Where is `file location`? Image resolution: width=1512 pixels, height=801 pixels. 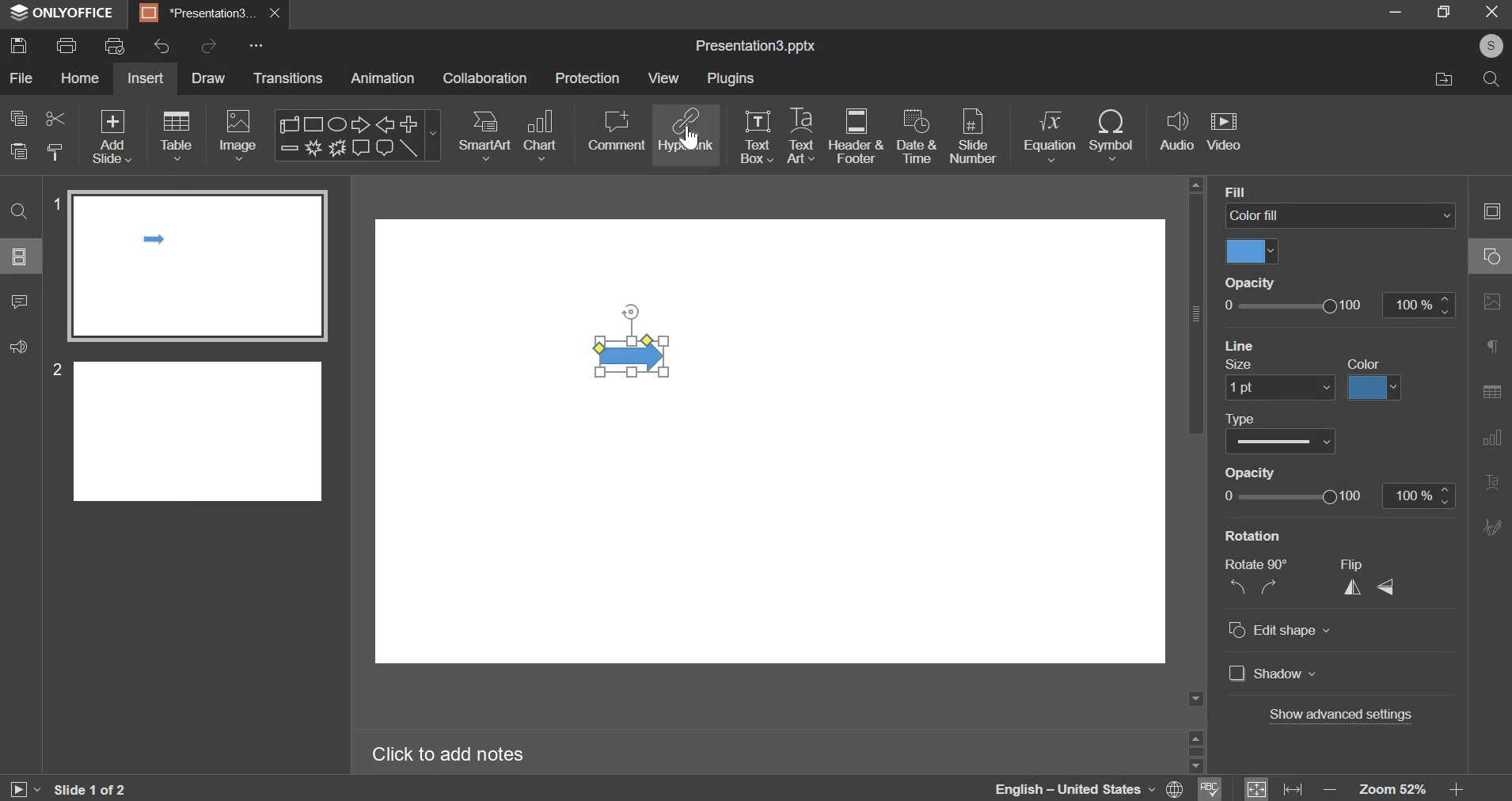 file location is located at coordinates (1442, 80).